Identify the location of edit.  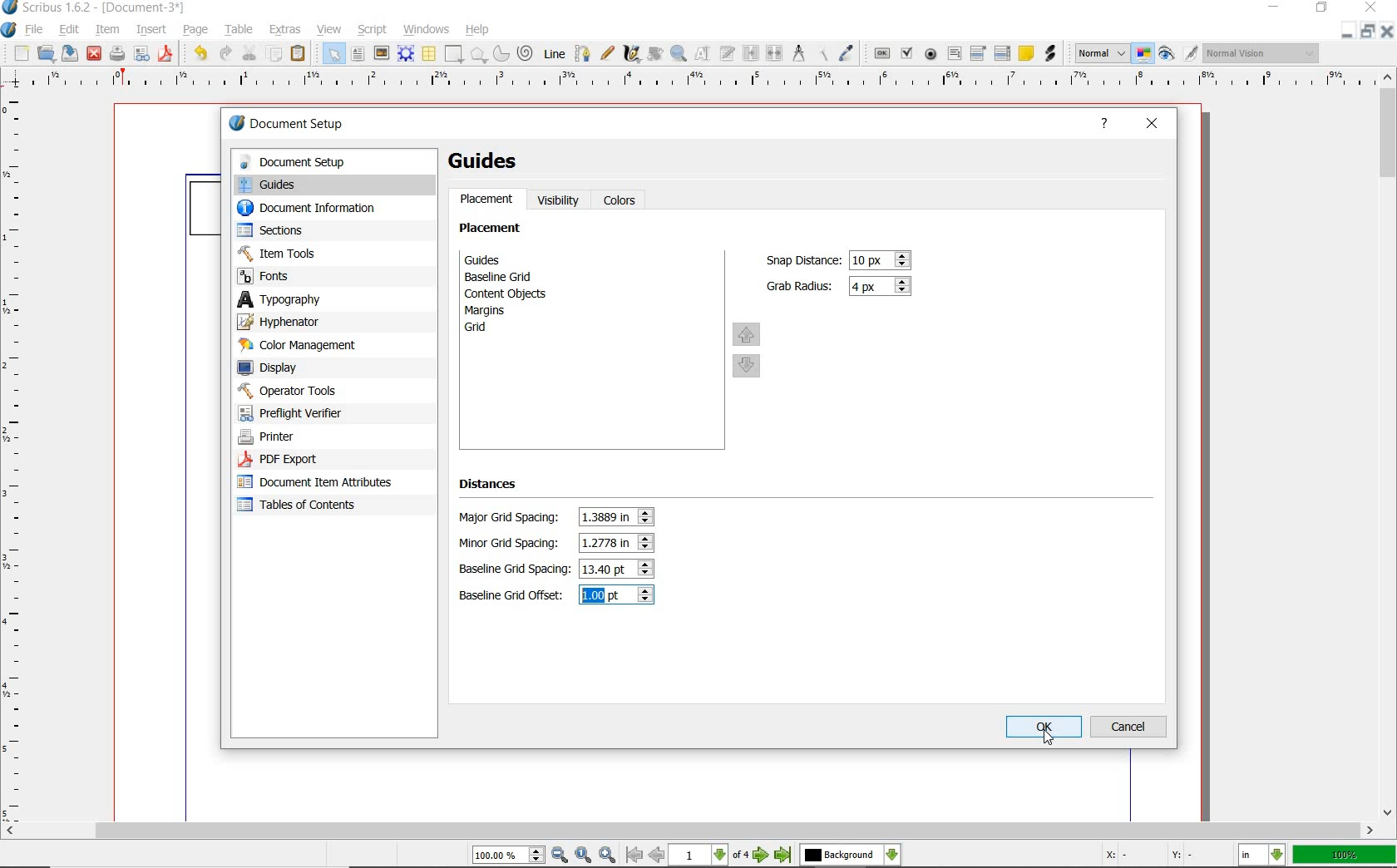
(68, 30).